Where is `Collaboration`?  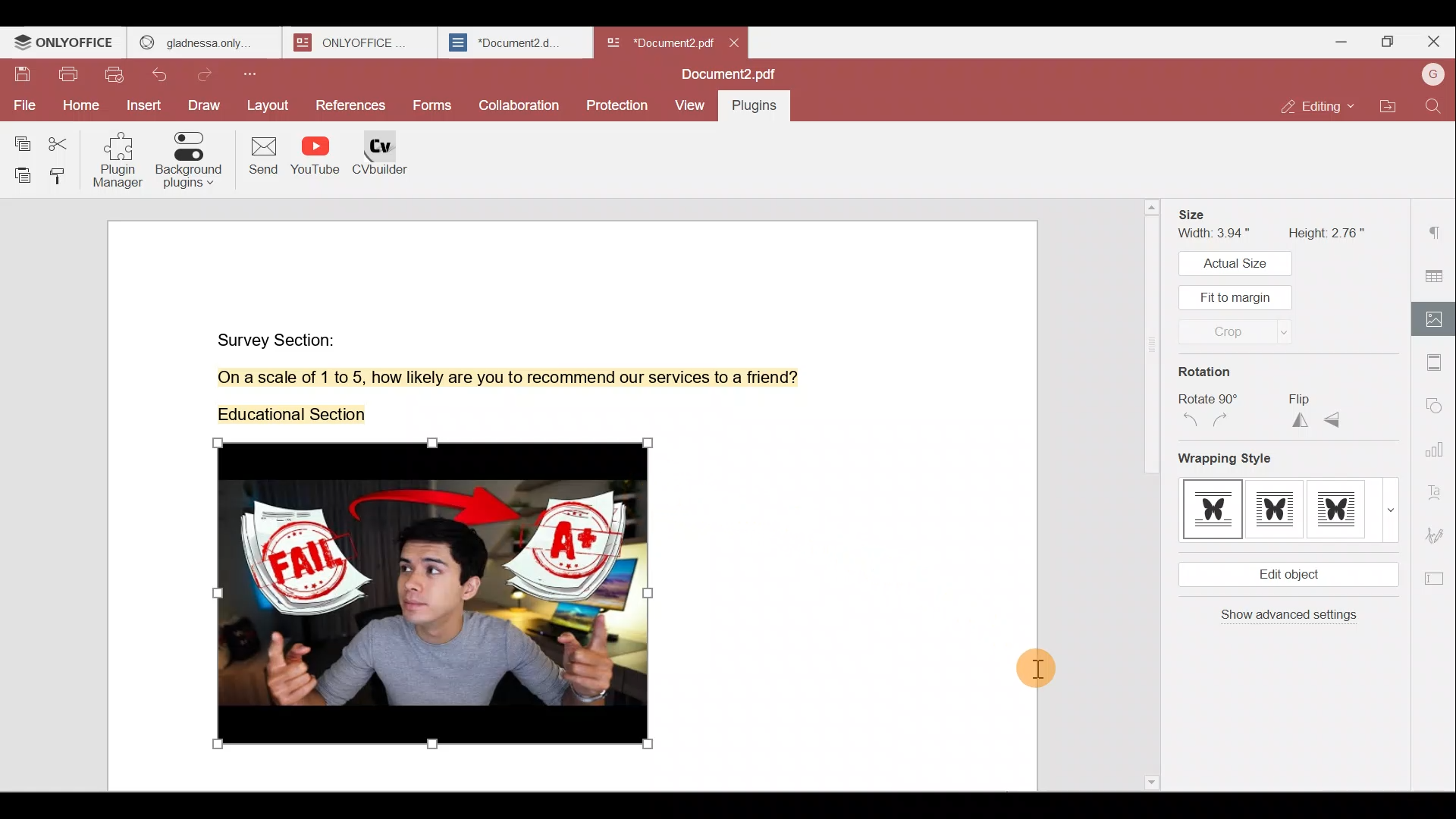 Collaboration is located at coordinates (517, 104).